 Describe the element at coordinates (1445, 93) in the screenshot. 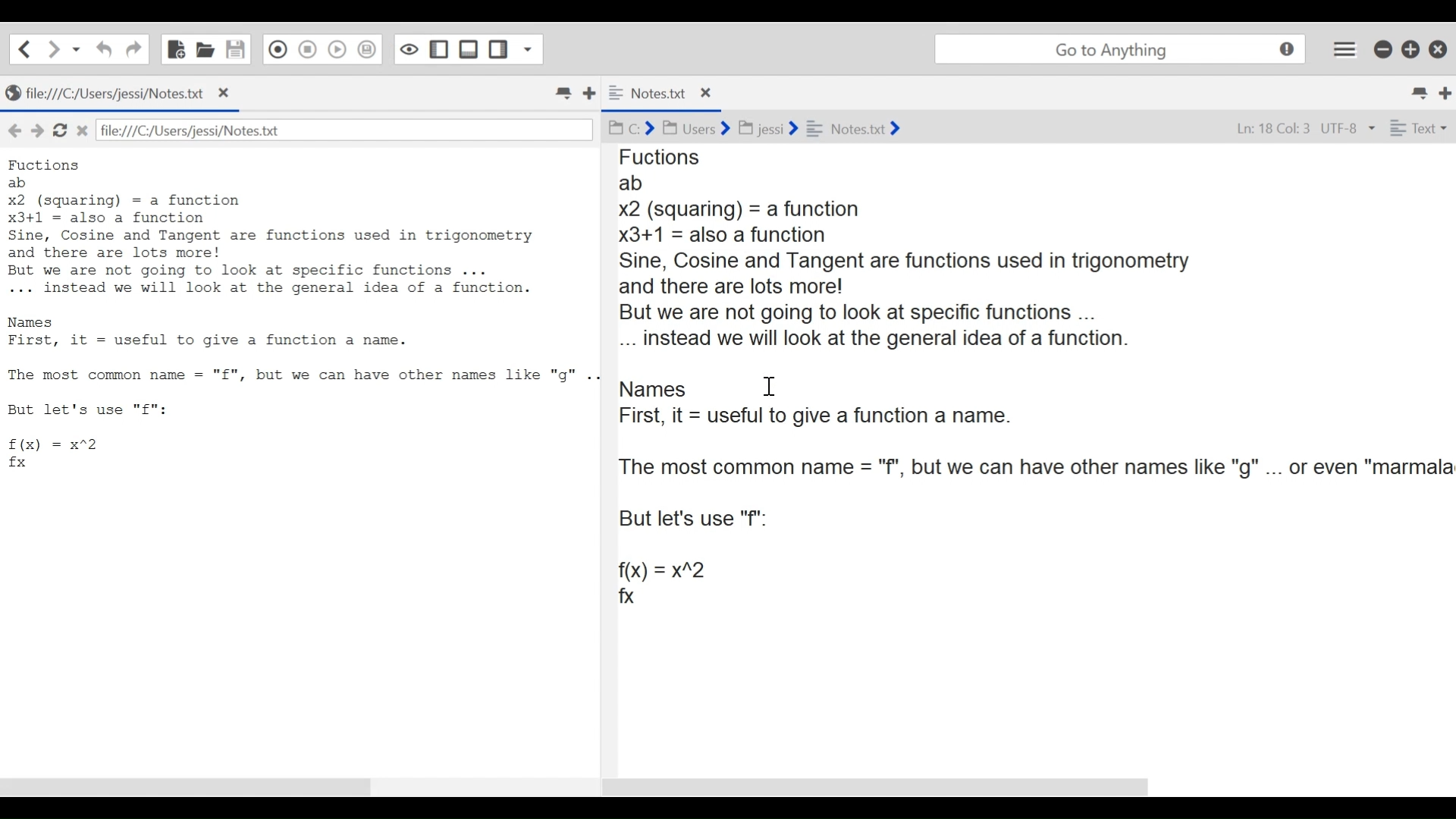

I see `new tab` at that location.